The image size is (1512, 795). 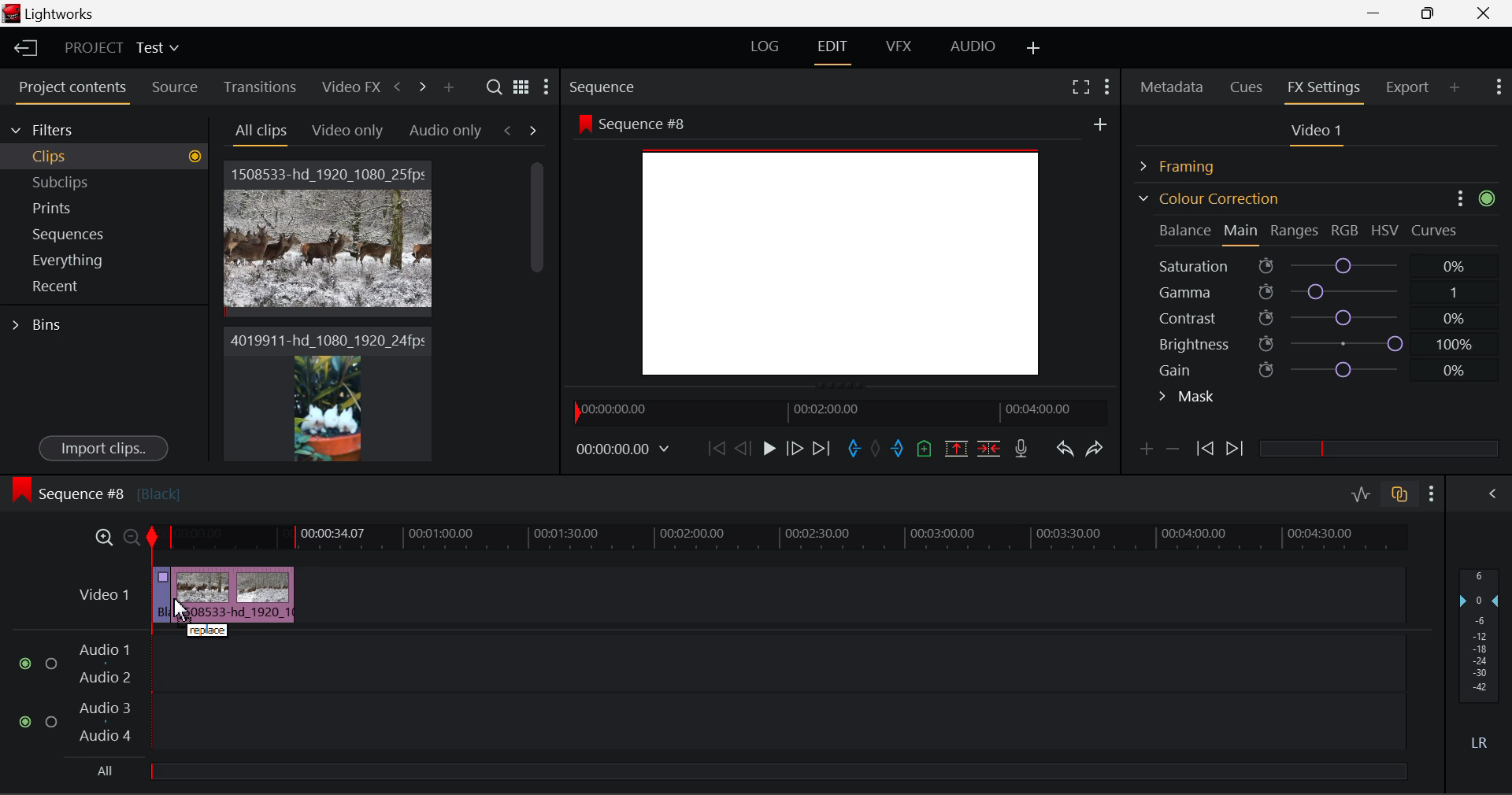 What do you see at coordinates (1379, 13) in the screenshot?
I see `Restore Down` at bounding box center [1379, 13].